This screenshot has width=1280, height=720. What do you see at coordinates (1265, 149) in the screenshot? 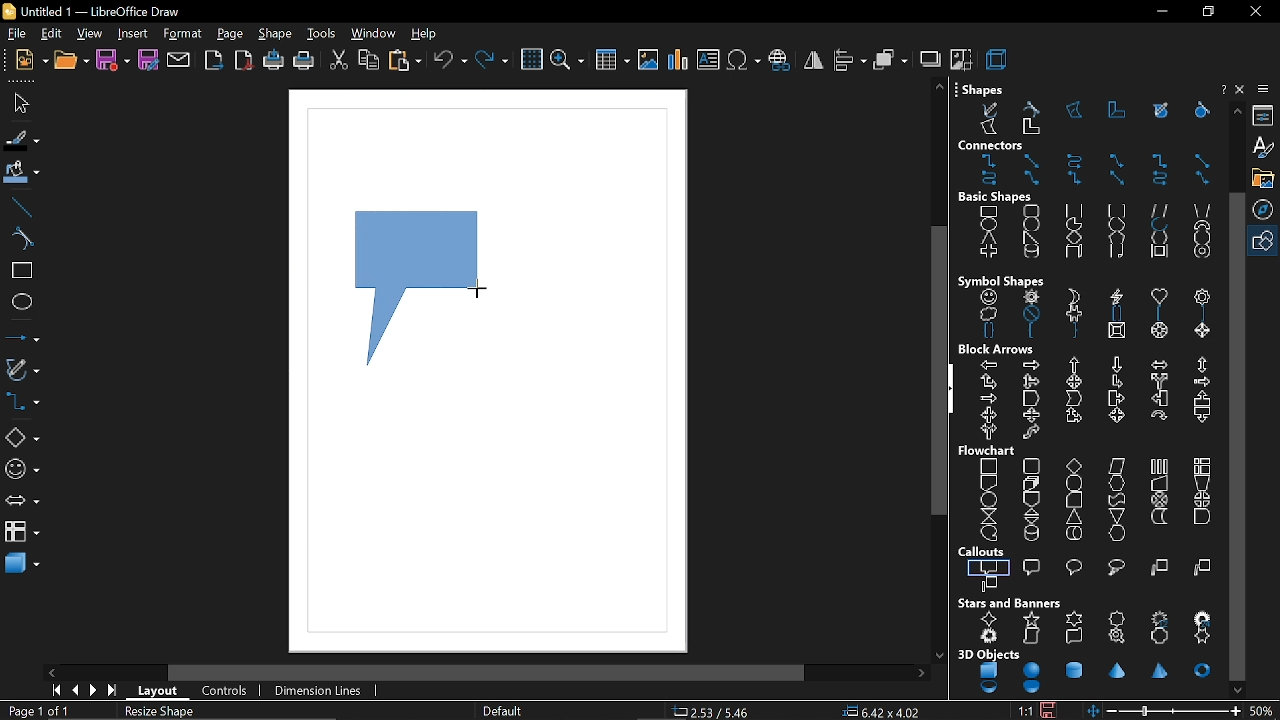
I see `styles` at bounding box center [1265, 149].